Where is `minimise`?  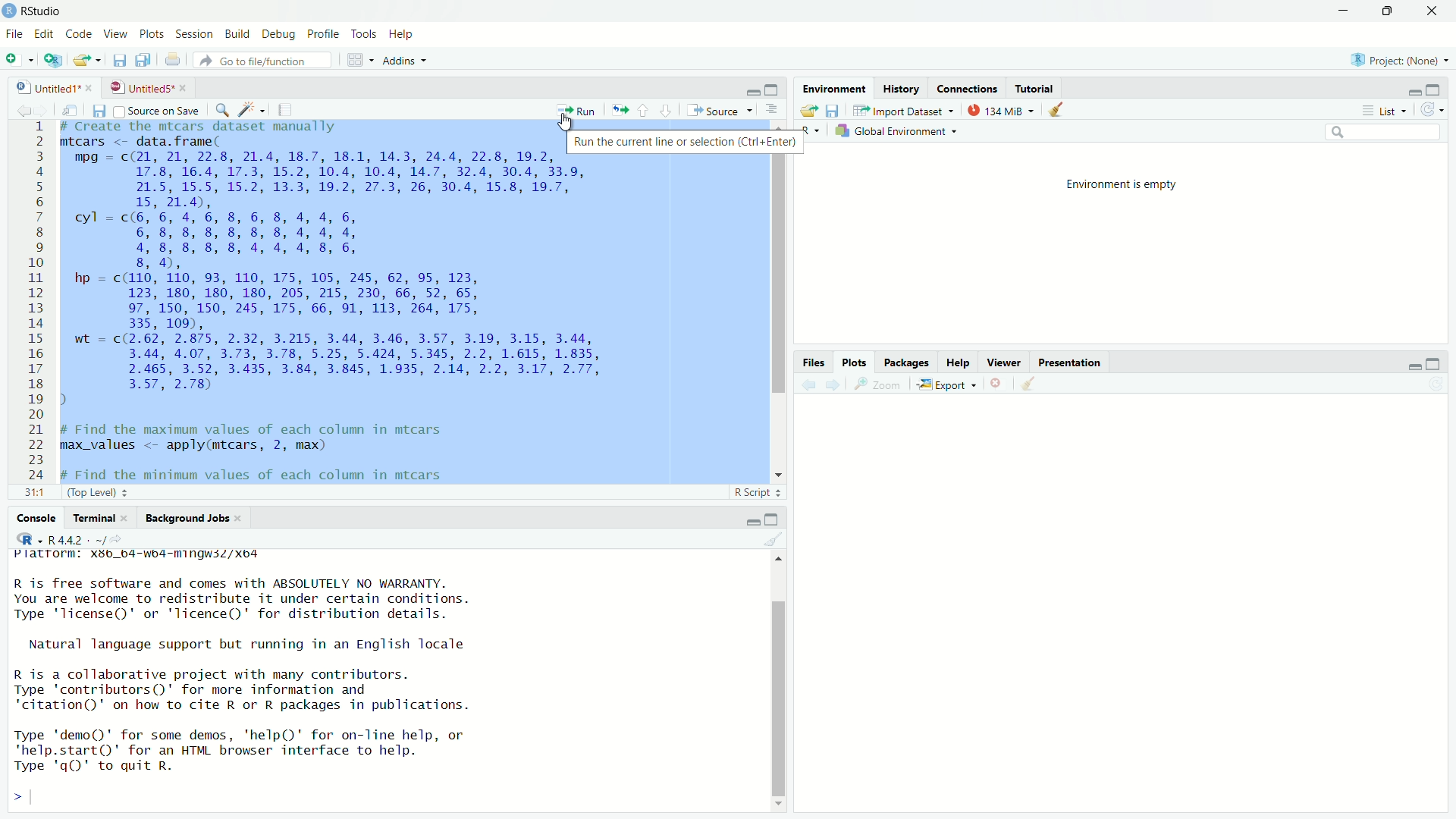
minimise is located at coordinates (1414, 88).